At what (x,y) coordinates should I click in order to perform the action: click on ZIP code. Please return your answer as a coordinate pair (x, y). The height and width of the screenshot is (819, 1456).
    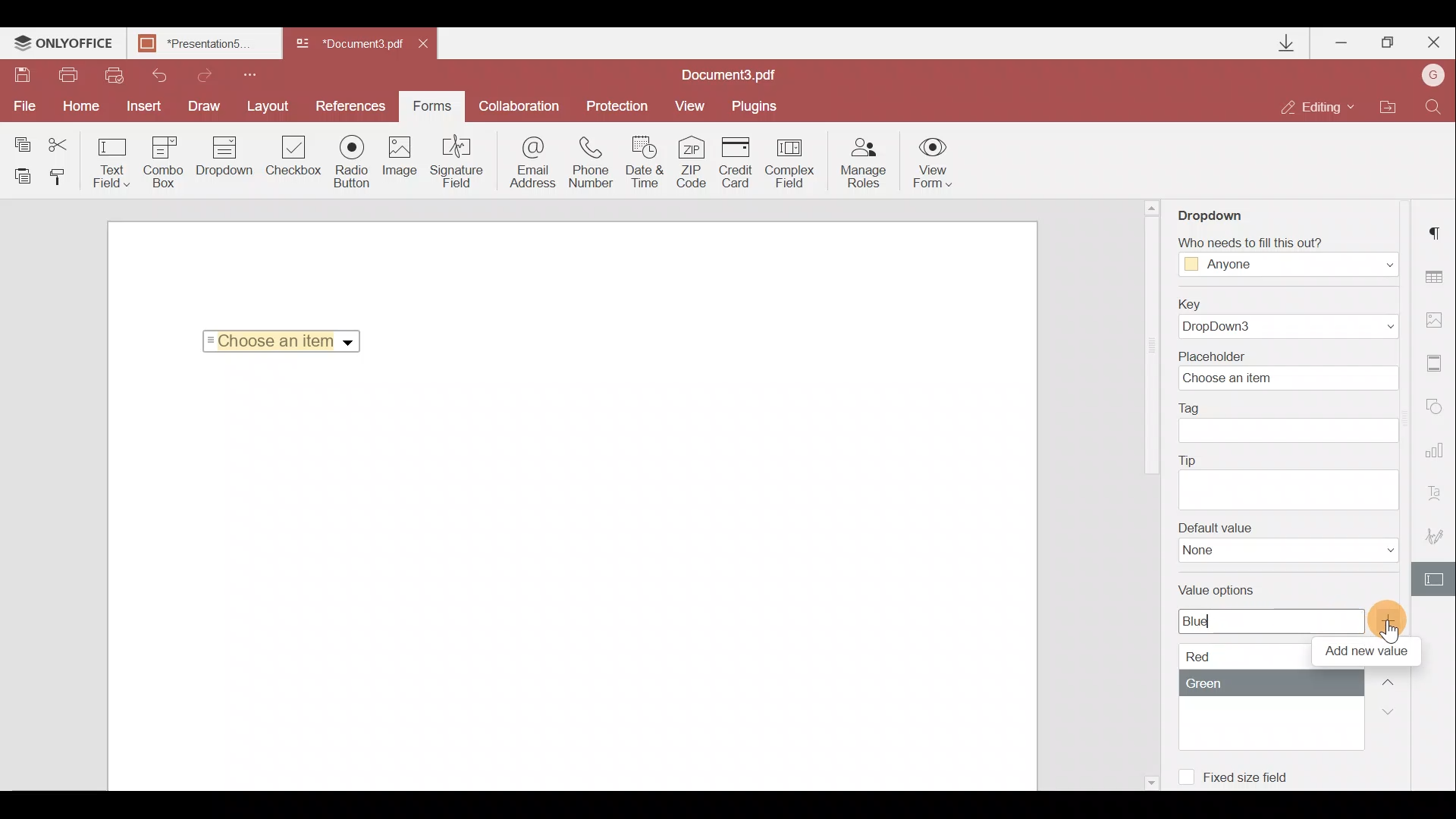
    Looking at the image, I should click on (695, 162).